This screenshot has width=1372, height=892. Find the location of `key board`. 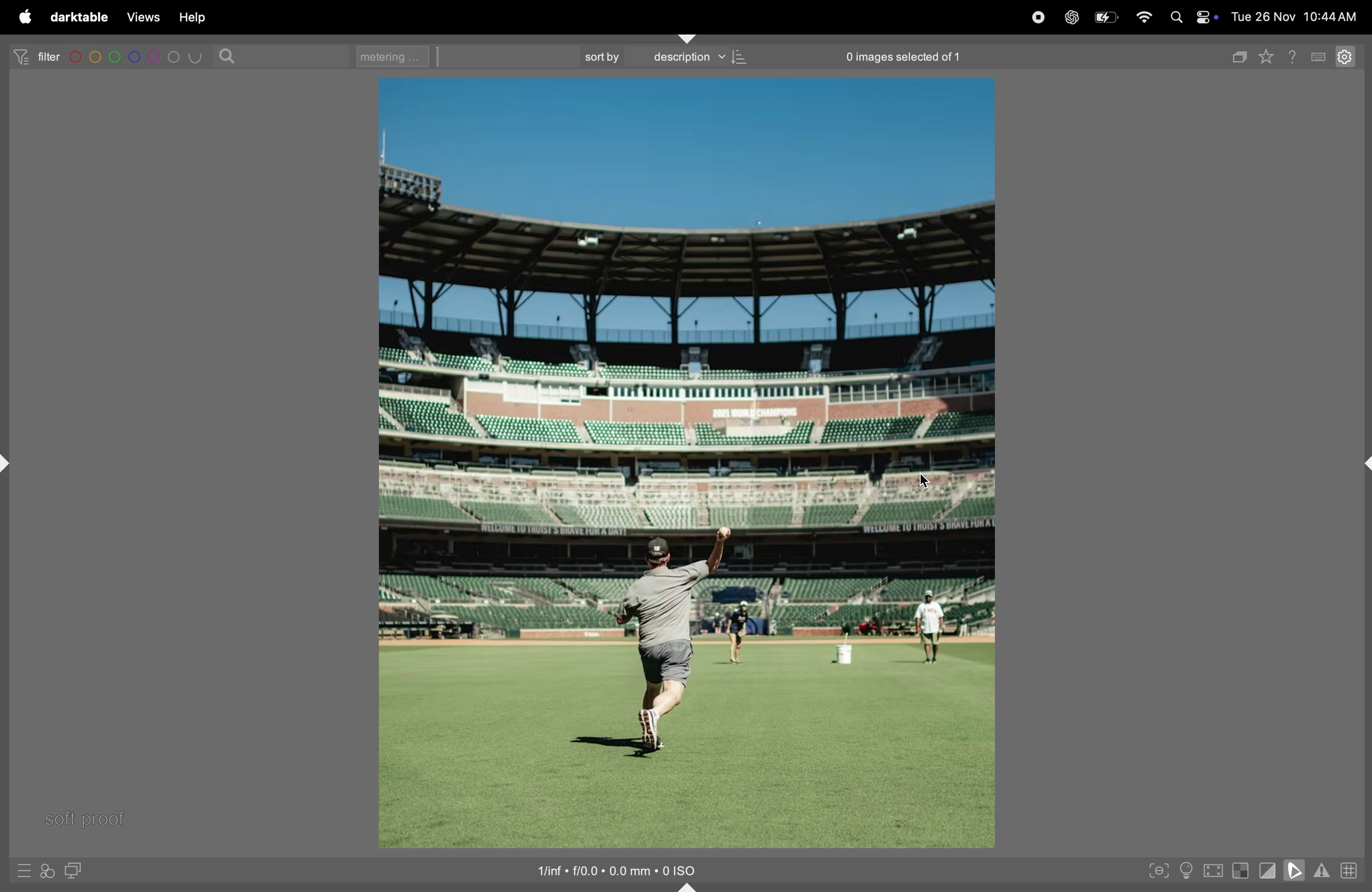

key board is located at coordinates (1318, 56).